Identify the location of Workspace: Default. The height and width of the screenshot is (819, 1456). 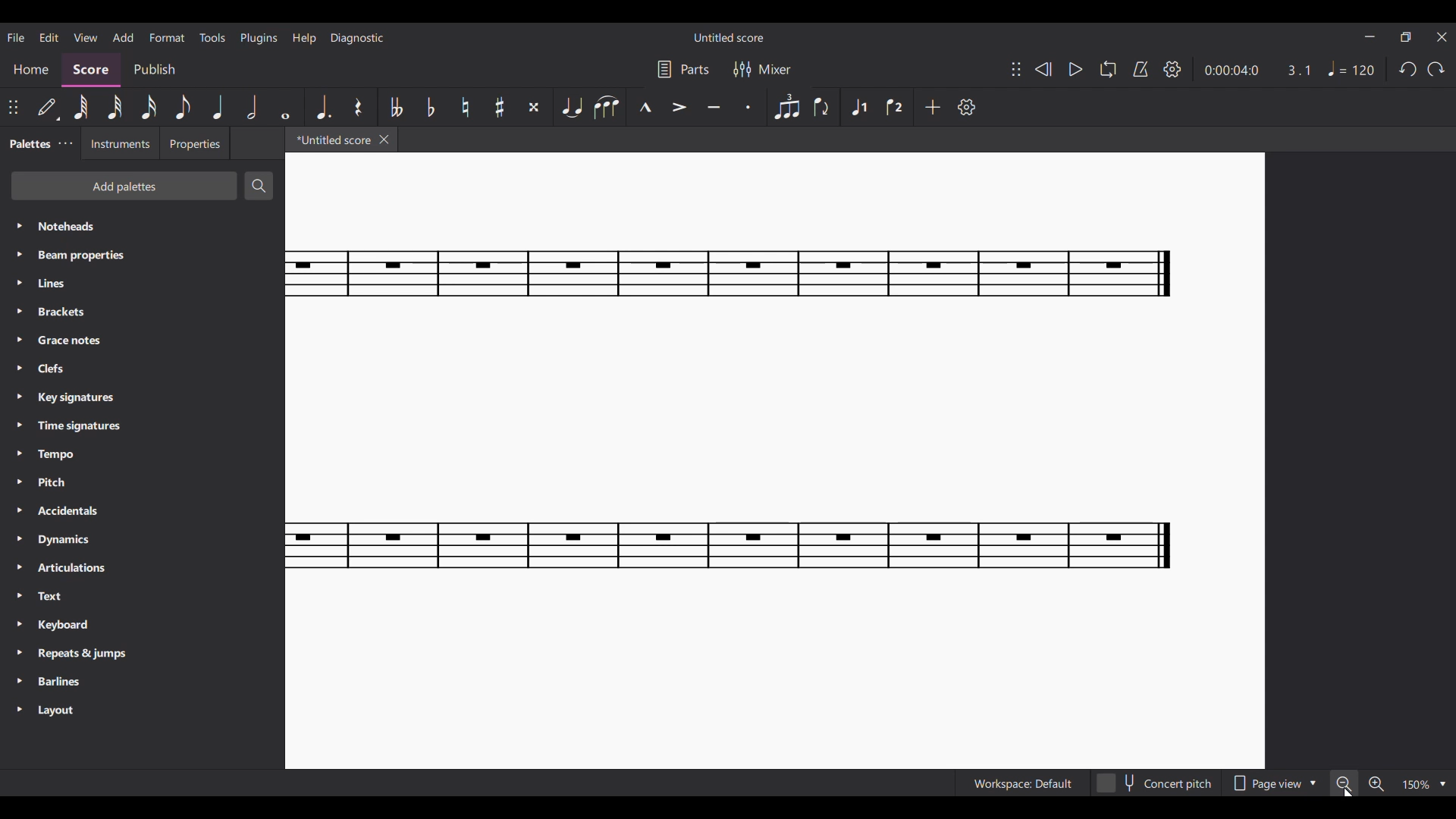
(1021, 783).